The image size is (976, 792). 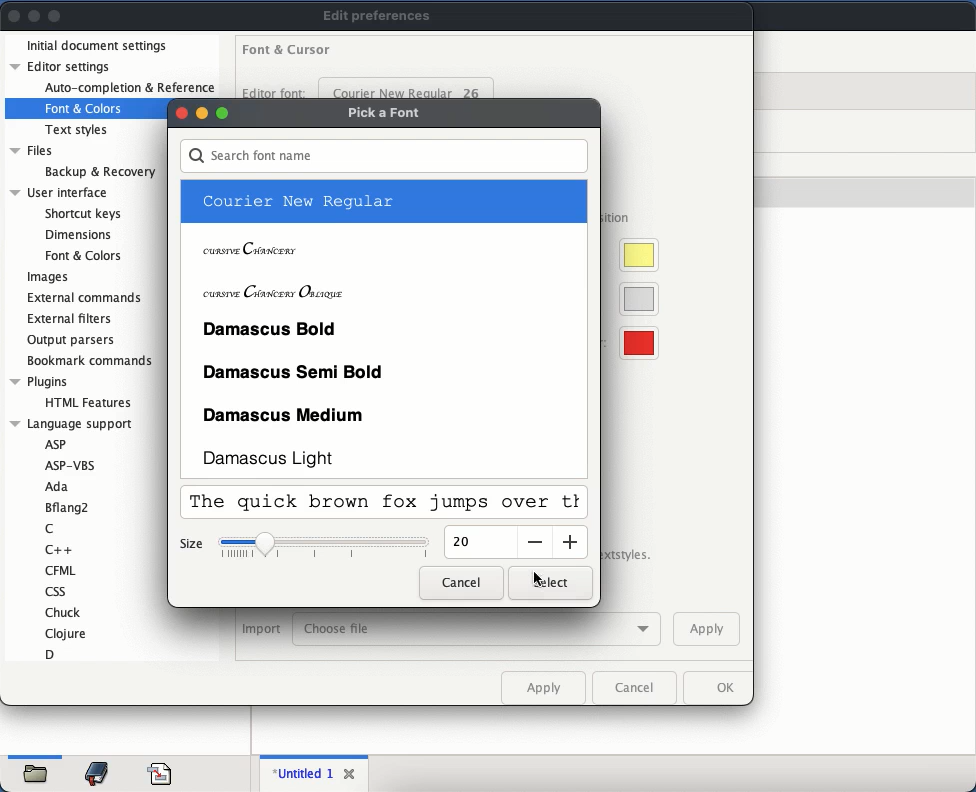 I want to click on close, so click(x=353, y=774).